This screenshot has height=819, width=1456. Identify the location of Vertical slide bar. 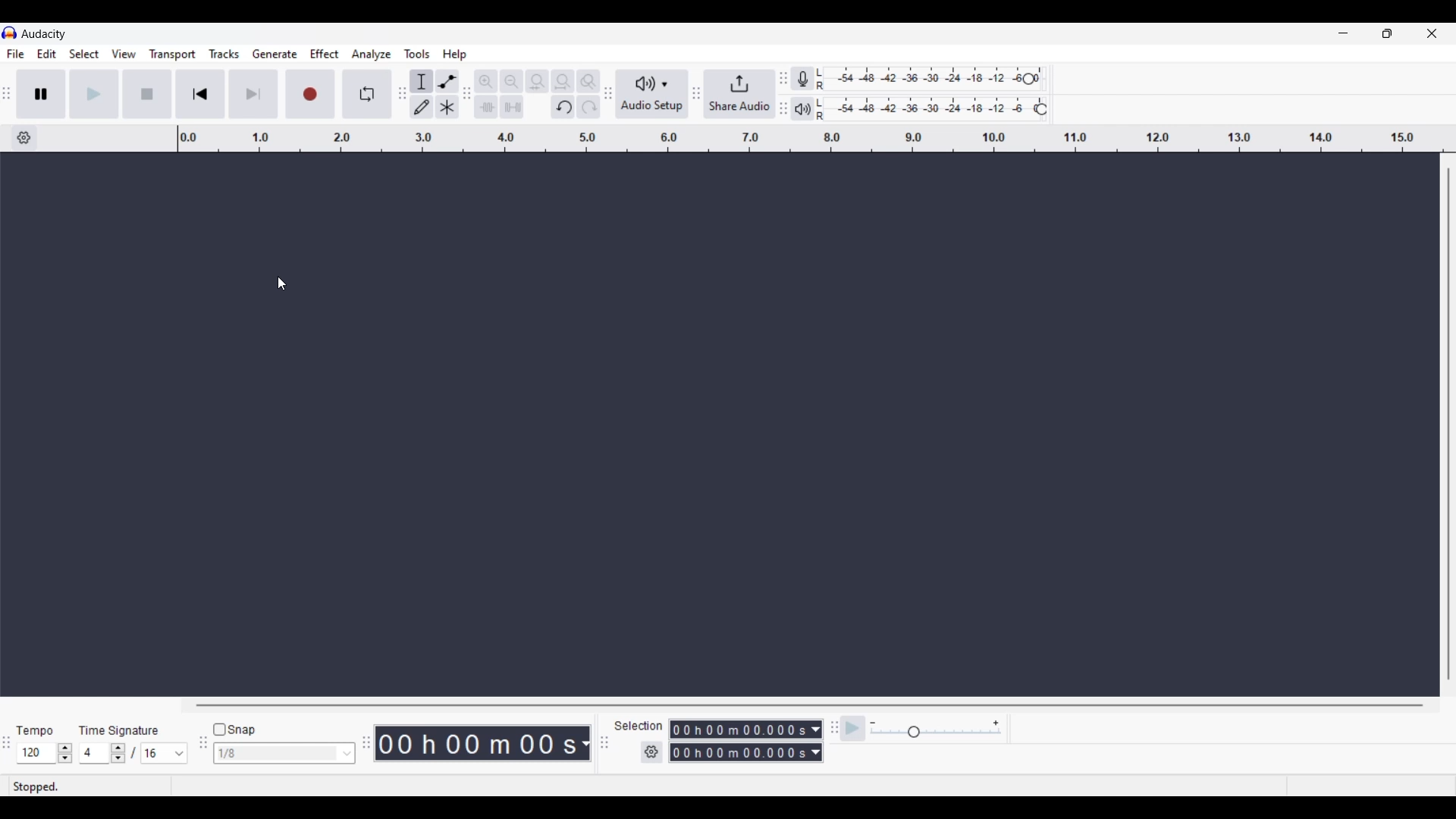
(1448, 424).